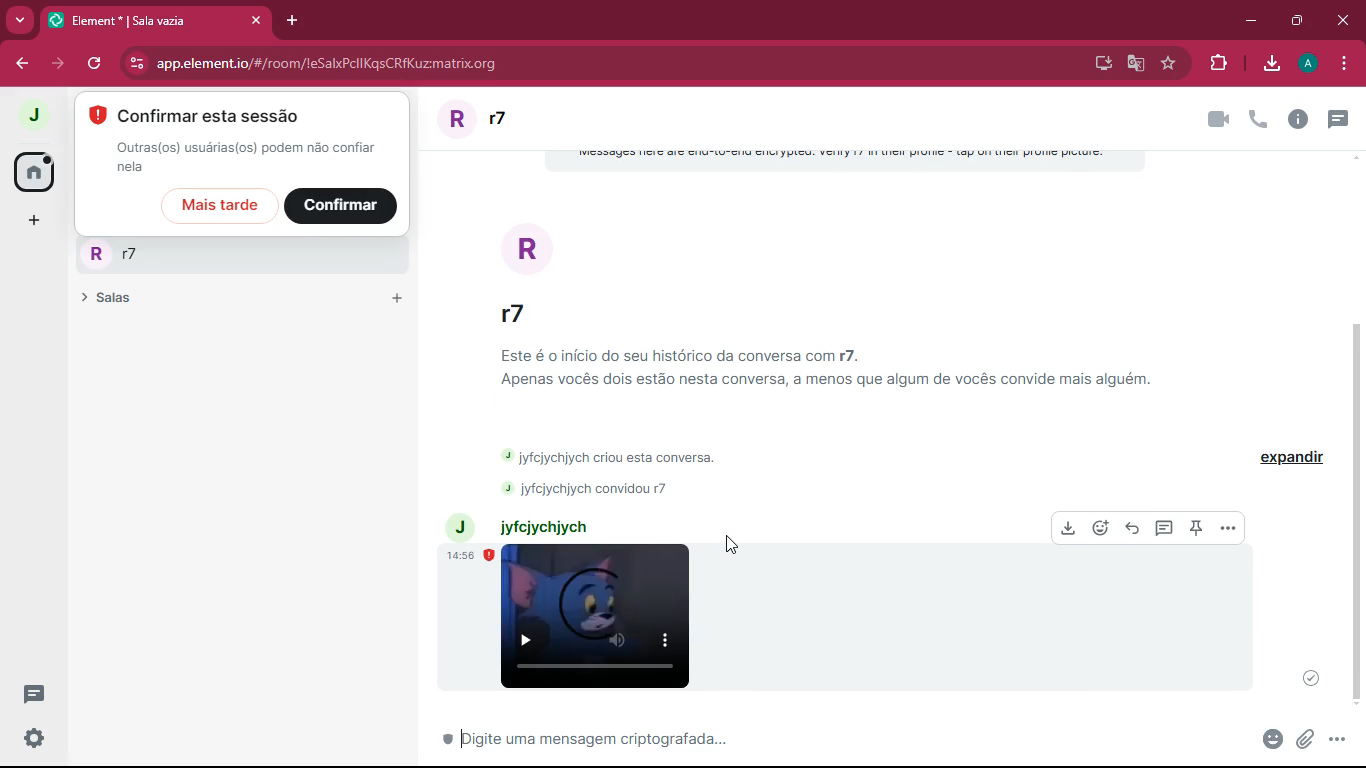 Image resolution: width=1366 pixels, height=768 pixels. I want to click on maximize, so click(1296, 20).